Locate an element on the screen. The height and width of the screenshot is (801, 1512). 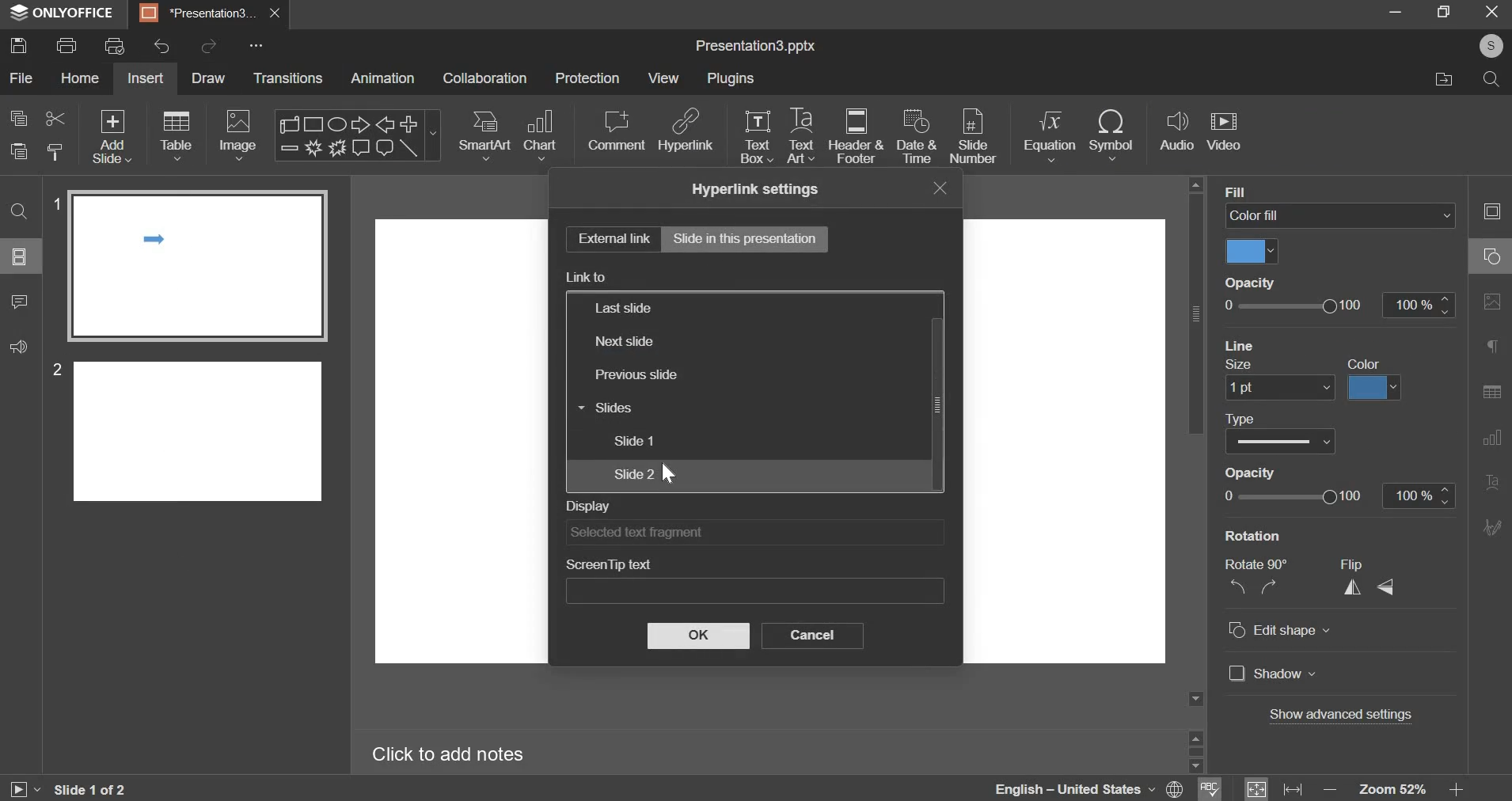
ScreenTip Text is located at coordinates (757, 591).